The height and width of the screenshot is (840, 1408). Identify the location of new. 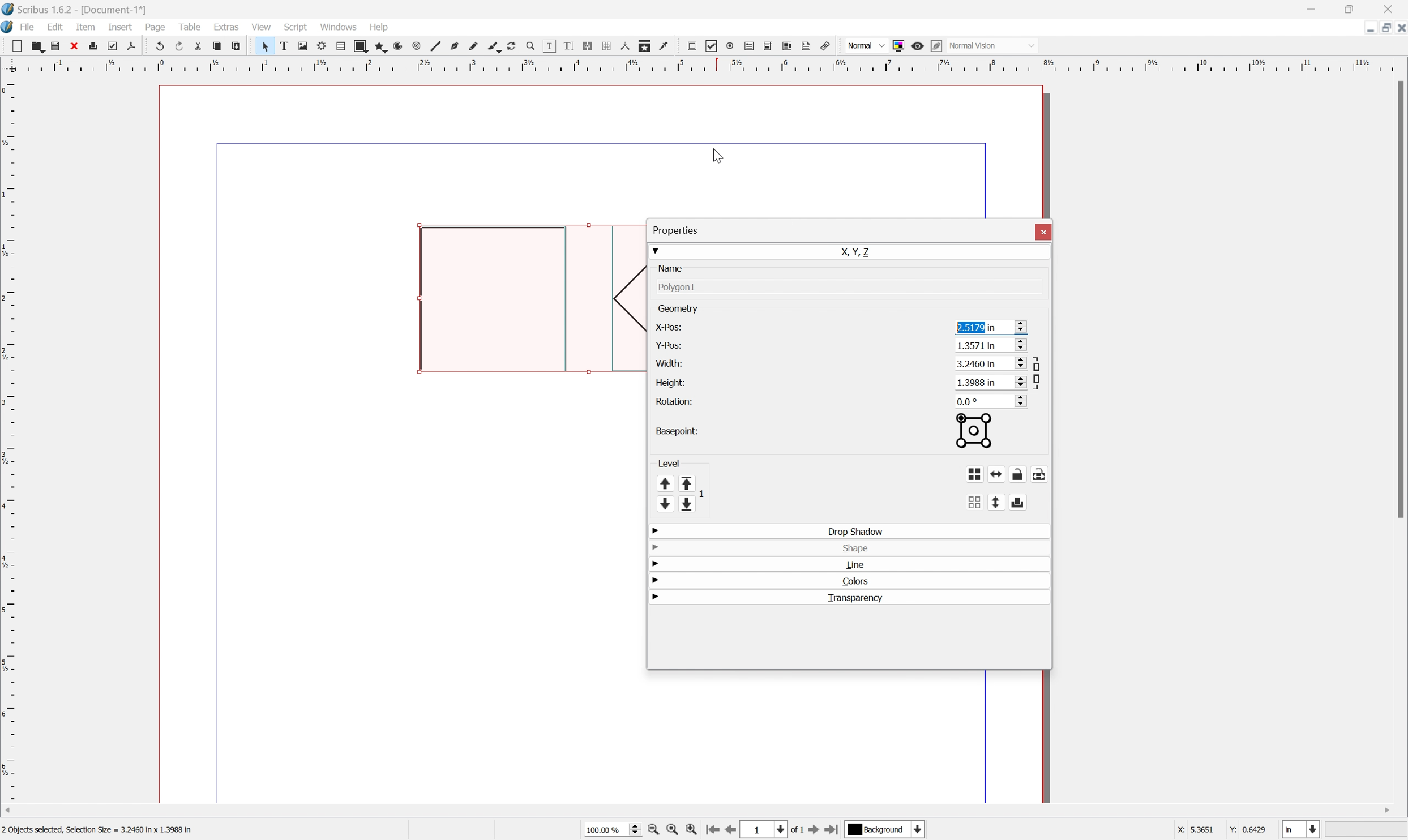
(12, 46).